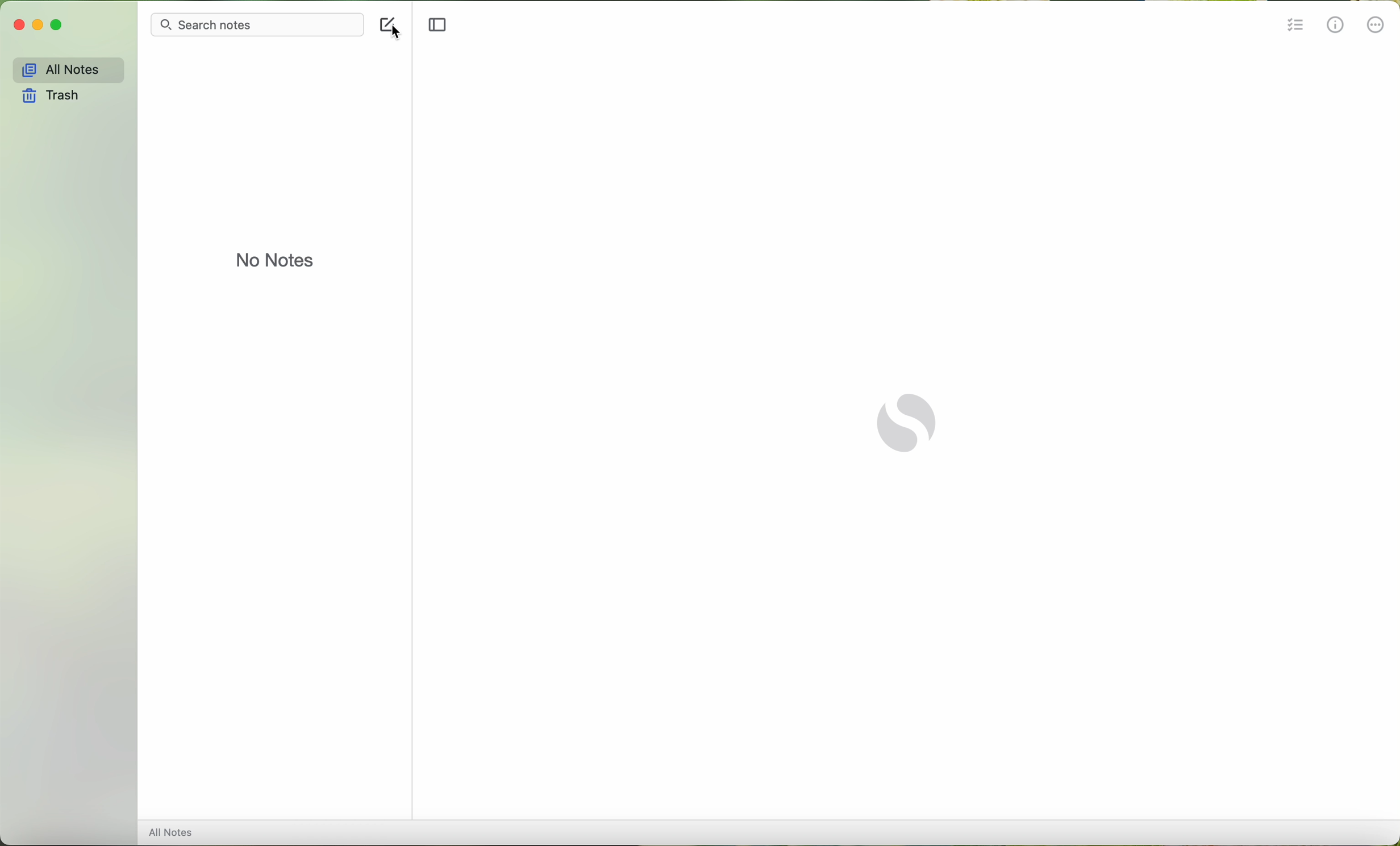 This screenshot has height=846, width=1400. What do you see at coordinates (57, 97) in the screenshot?
I see `trash` at bounding box center [57, 97].